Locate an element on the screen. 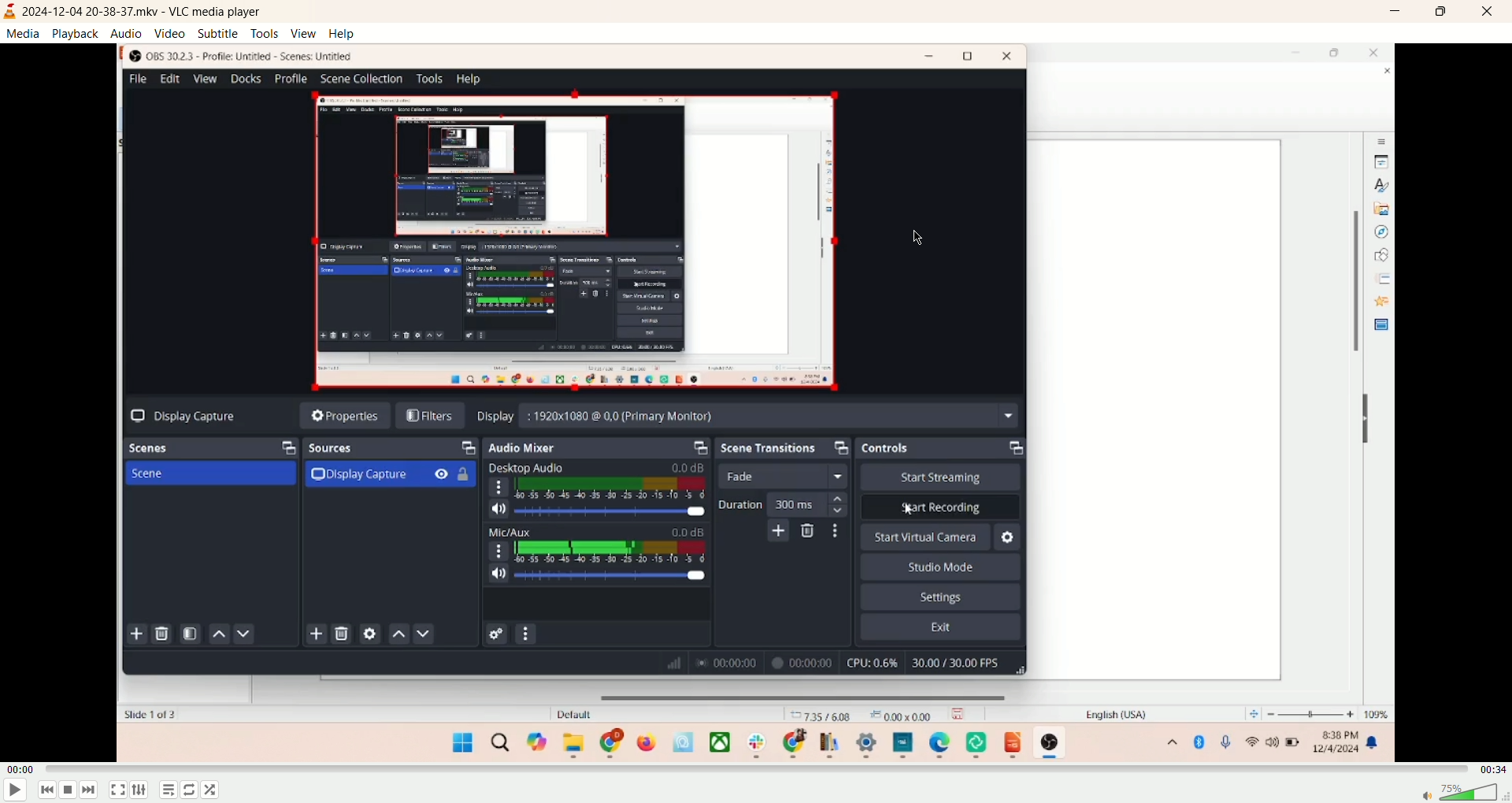 Image resolution: width=1512 pixels, height=803 pixels. tools is located at coordinates (262, 34).